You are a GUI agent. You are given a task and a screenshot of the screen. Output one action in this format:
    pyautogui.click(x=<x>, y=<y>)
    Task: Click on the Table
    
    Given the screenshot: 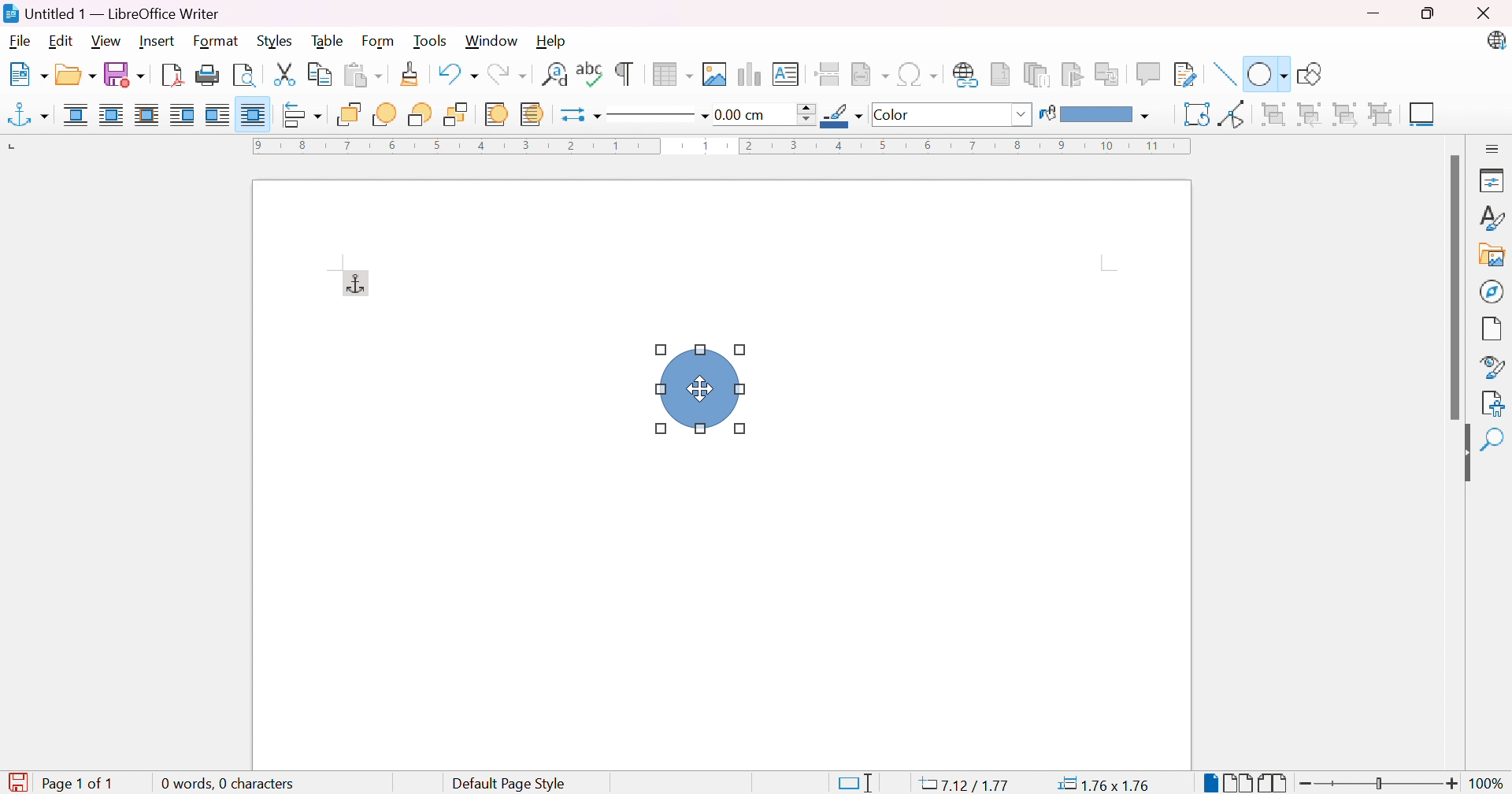 What is the action you would take?
    pyautogui.click(x=329, y=40)
    